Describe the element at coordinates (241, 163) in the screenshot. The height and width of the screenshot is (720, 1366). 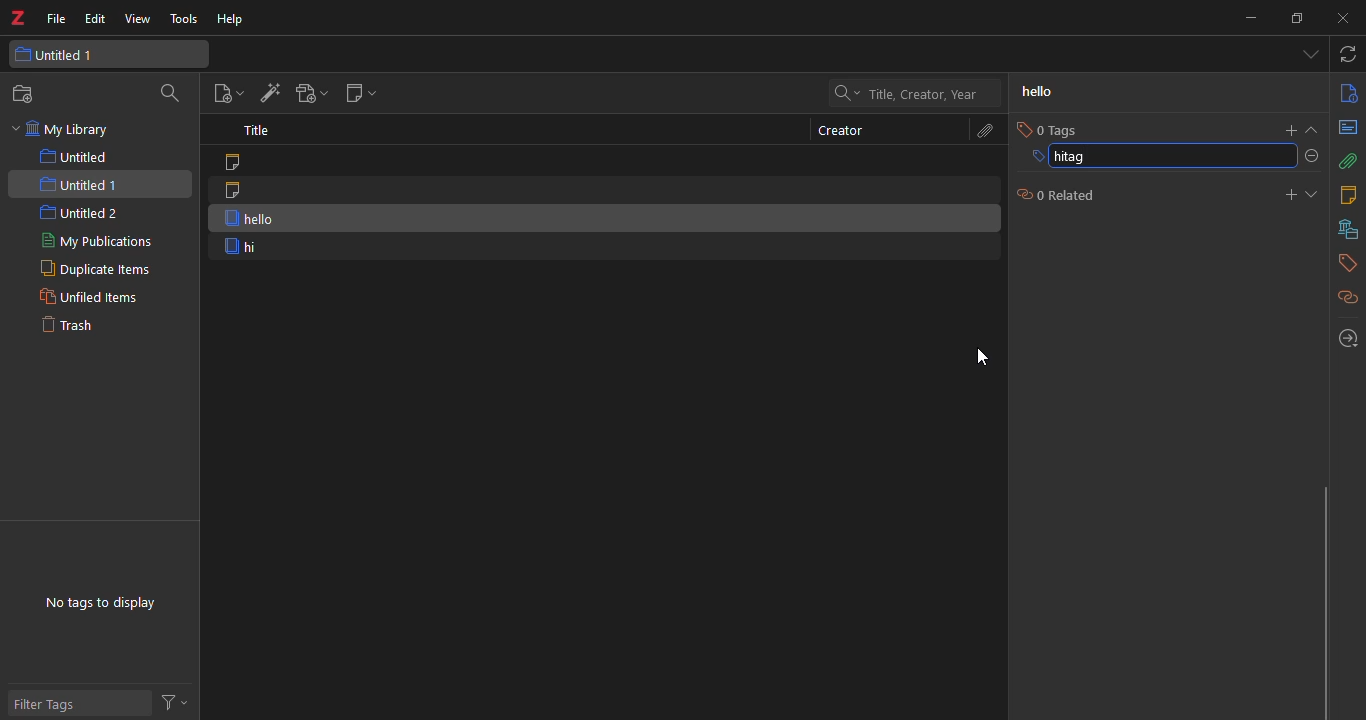
I see `note` at that location.